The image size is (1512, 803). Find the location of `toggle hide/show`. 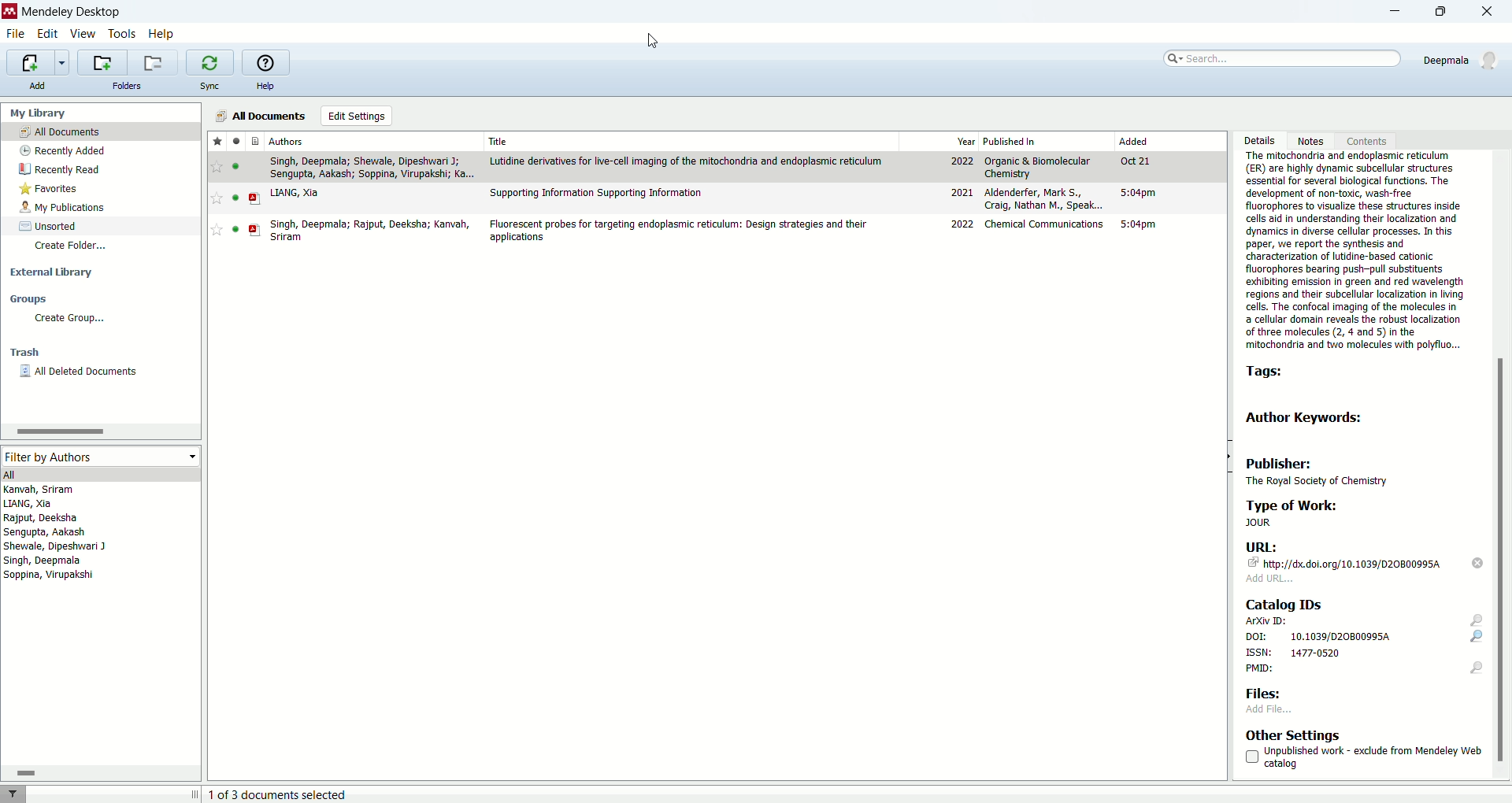

toggle hide/show is located at coordinates (1228, 457).